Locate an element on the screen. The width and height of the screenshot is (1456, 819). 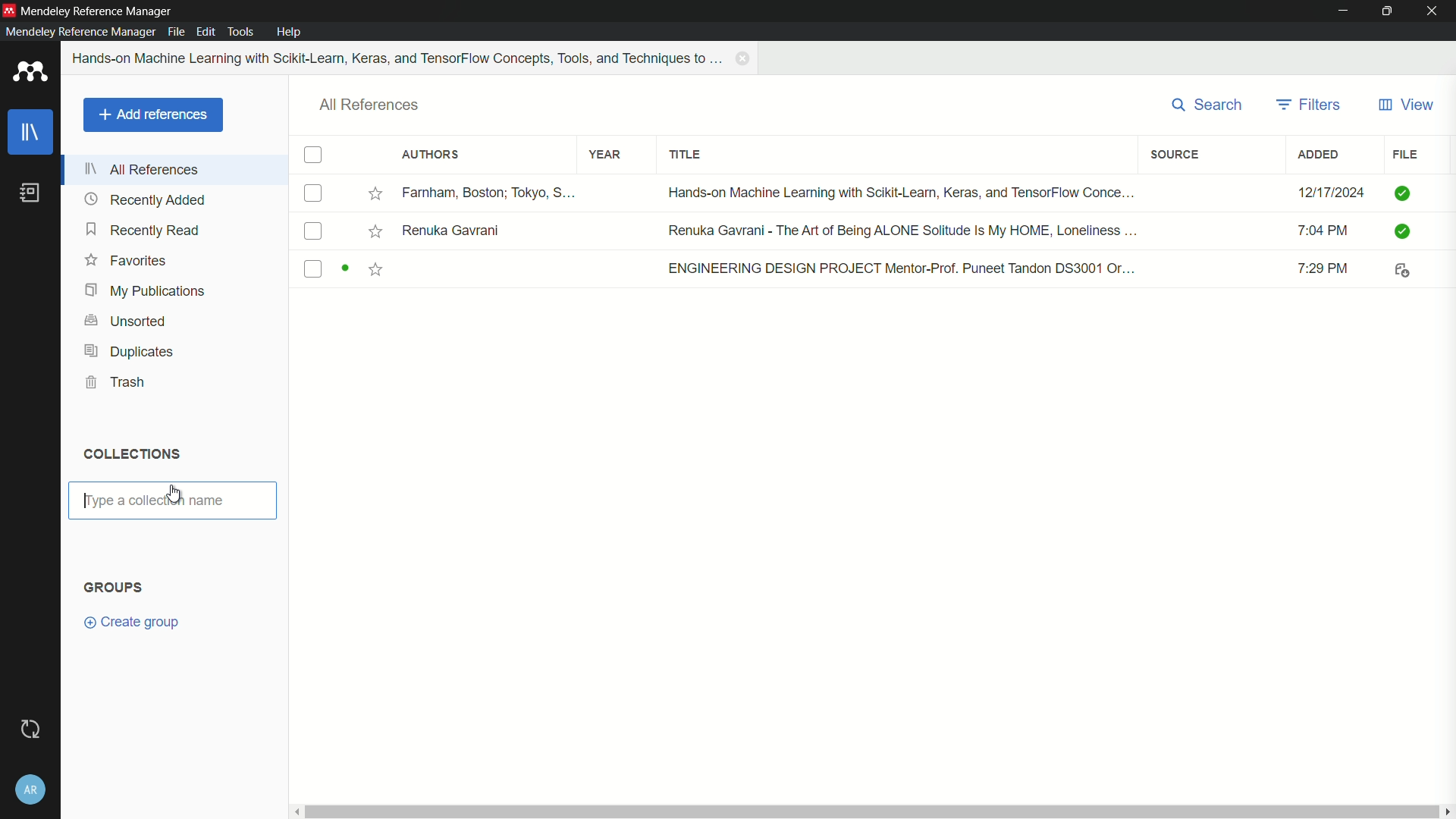
book-1 is located at coordinates (865, 193).